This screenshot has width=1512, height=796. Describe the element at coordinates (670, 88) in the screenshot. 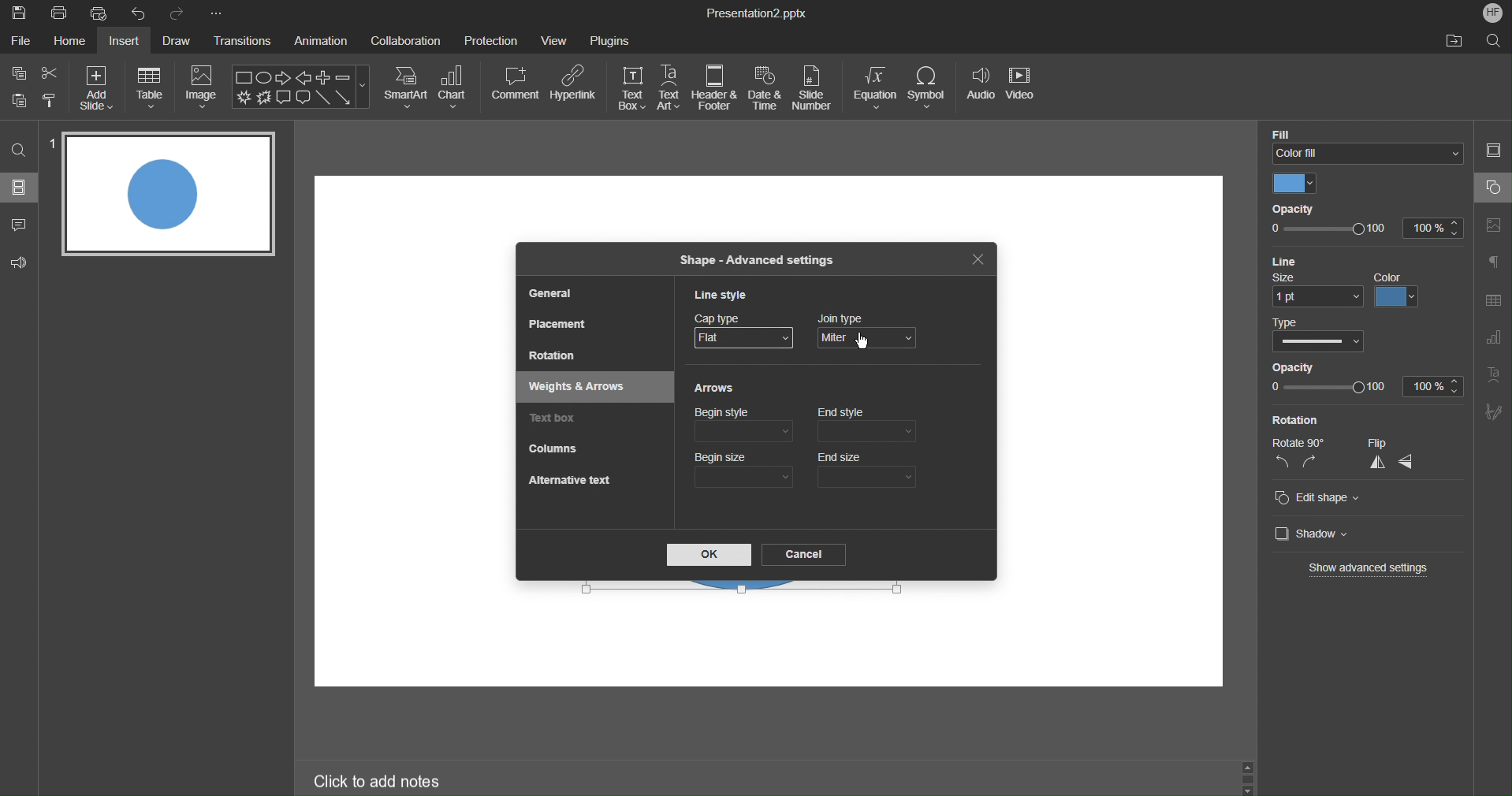

I see `Text Art` at that location.